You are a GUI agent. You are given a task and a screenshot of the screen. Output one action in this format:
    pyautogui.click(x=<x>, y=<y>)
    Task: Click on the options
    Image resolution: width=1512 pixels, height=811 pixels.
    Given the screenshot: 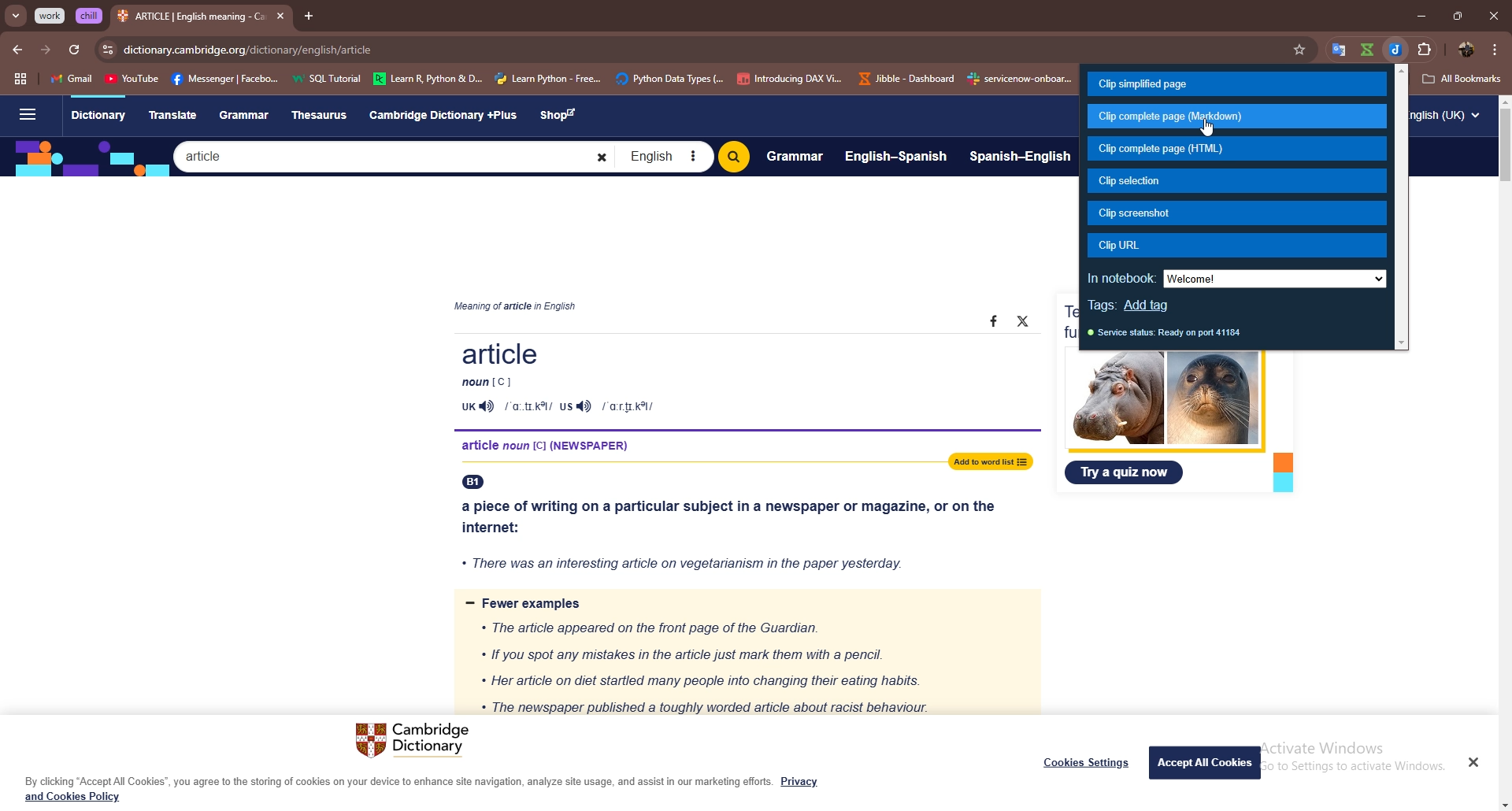 What is the action you would take?
    pyautogui.click(x=1495, y=49)
    